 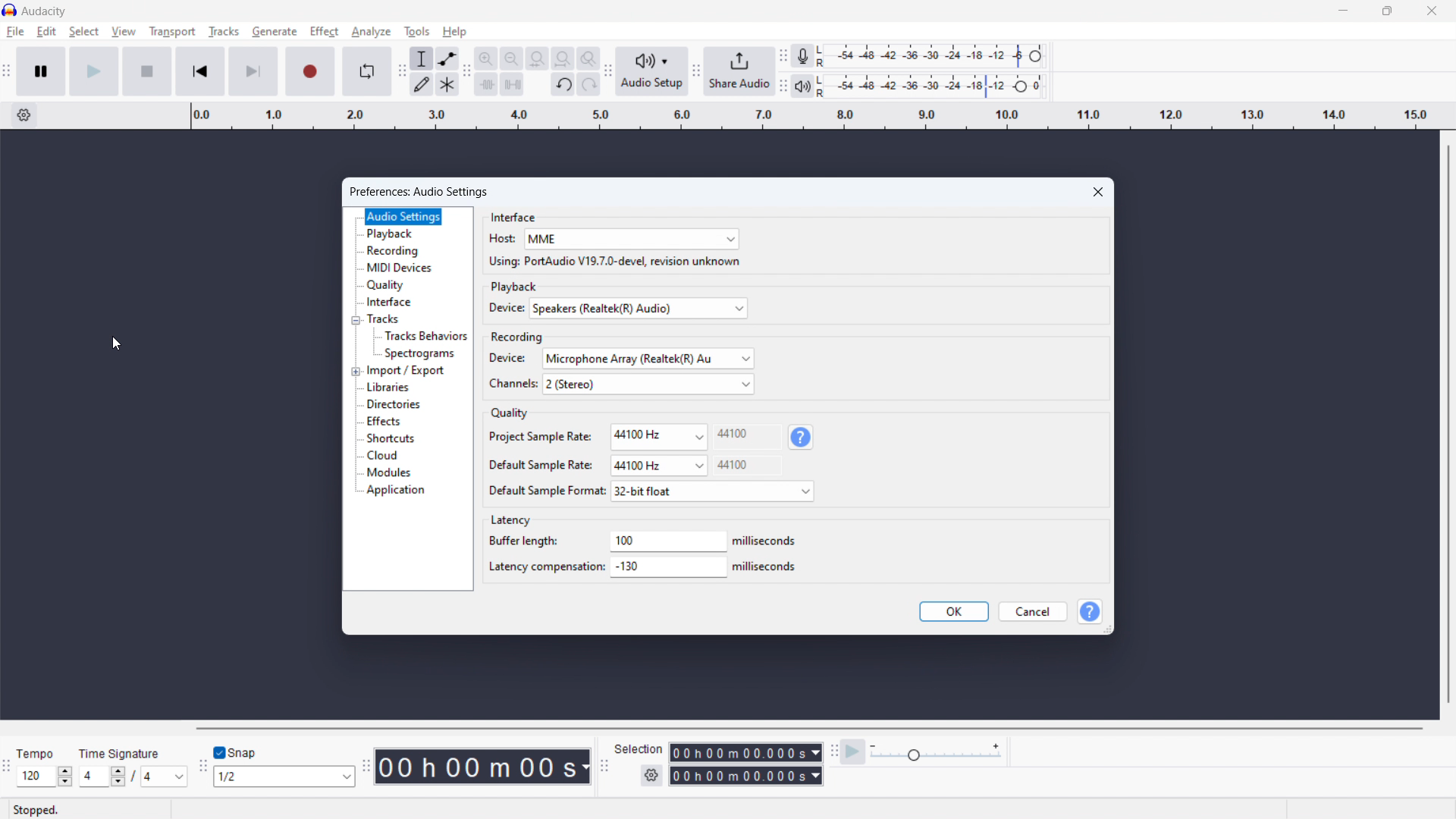 What do you see at coordinates (400, 268) in the screenshot?
I see `midi devices` at bounding box center [400, 268].